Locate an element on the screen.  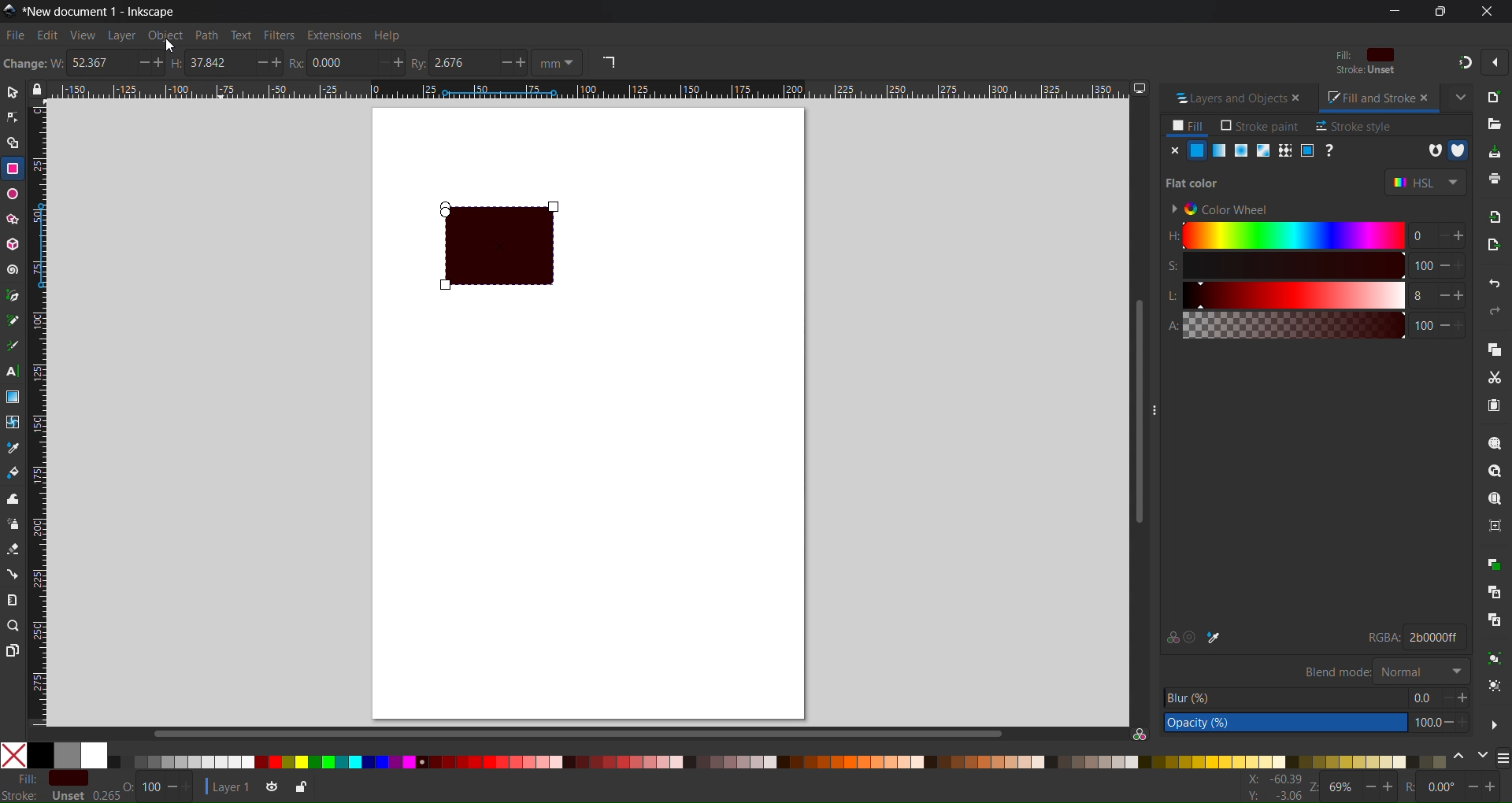
Rotation is located at coordinates (1414, 787).